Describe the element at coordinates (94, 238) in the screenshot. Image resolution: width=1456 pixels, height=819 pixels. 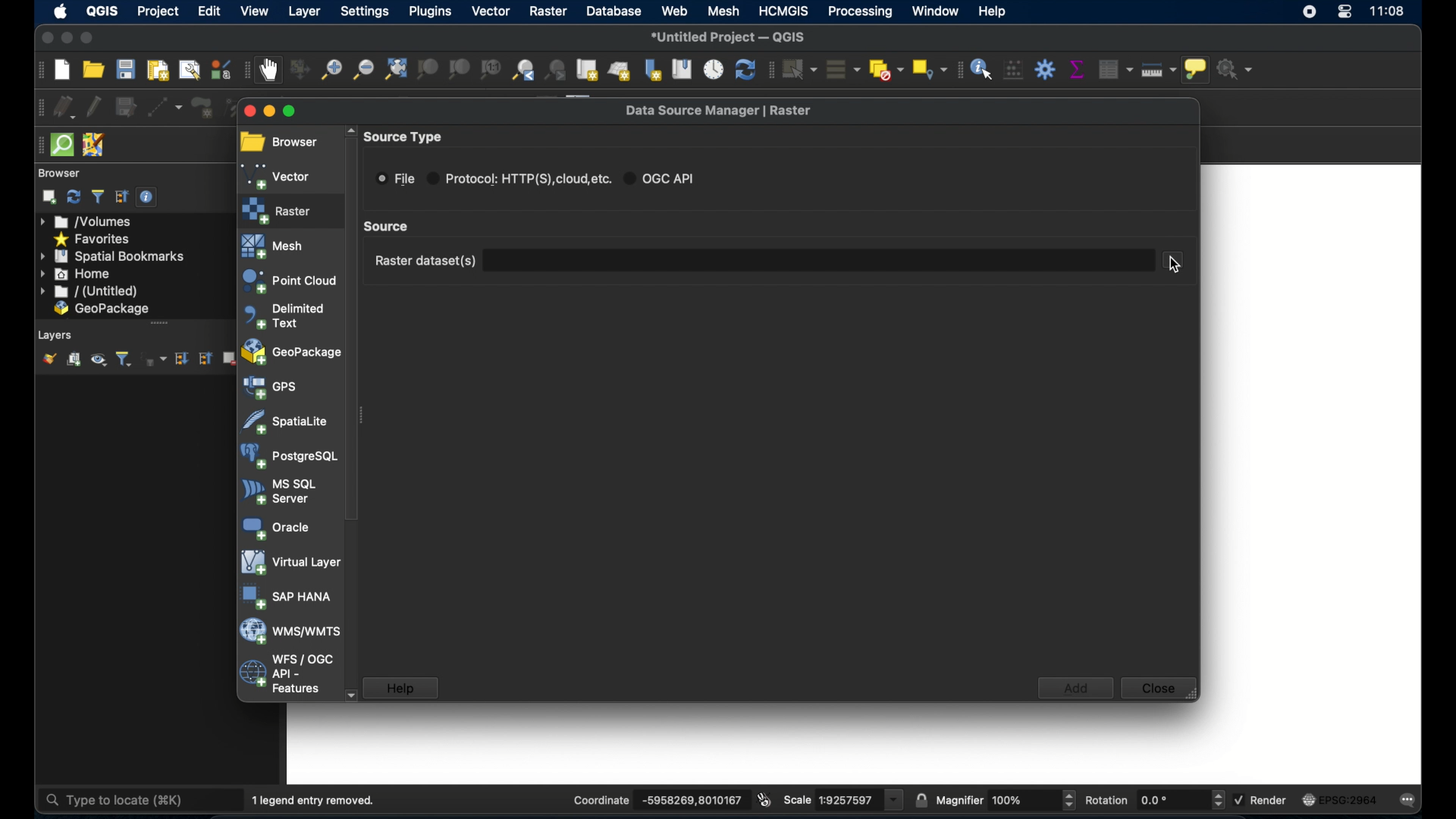
I see `favorites` at that location.